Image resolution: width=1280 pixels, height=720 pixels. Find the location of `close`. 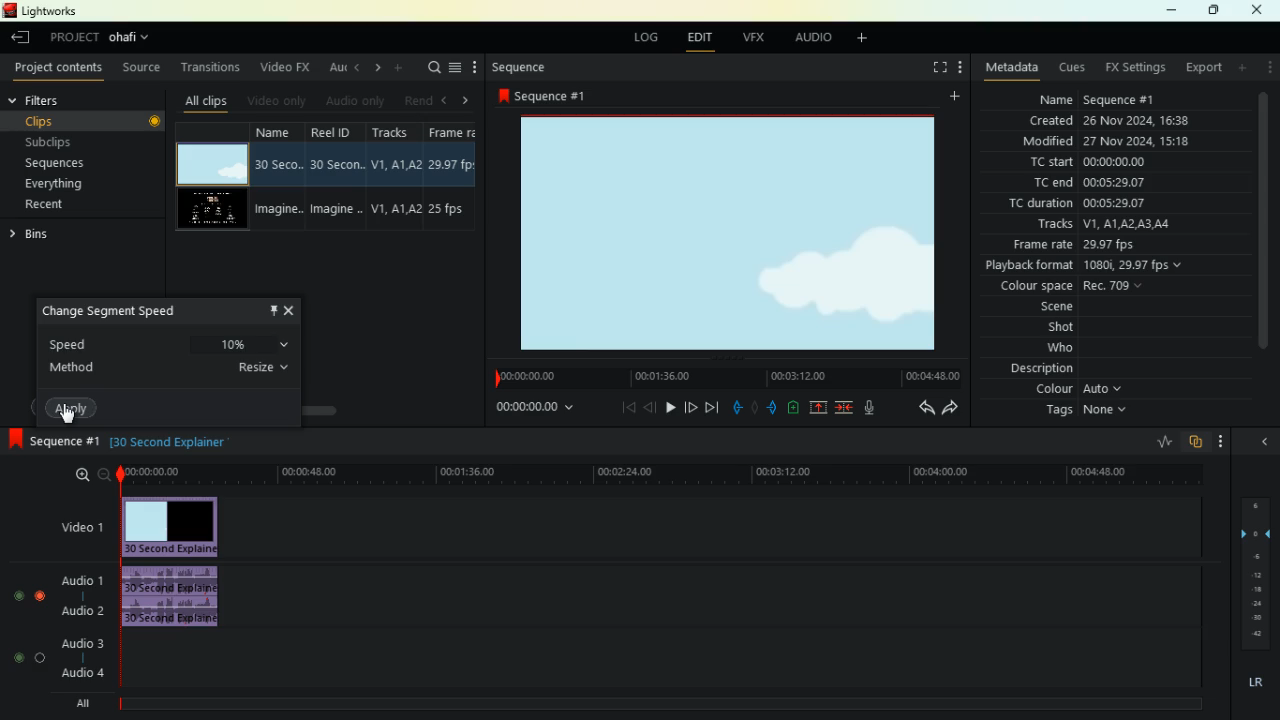

close is located at coordinates (292, 311).